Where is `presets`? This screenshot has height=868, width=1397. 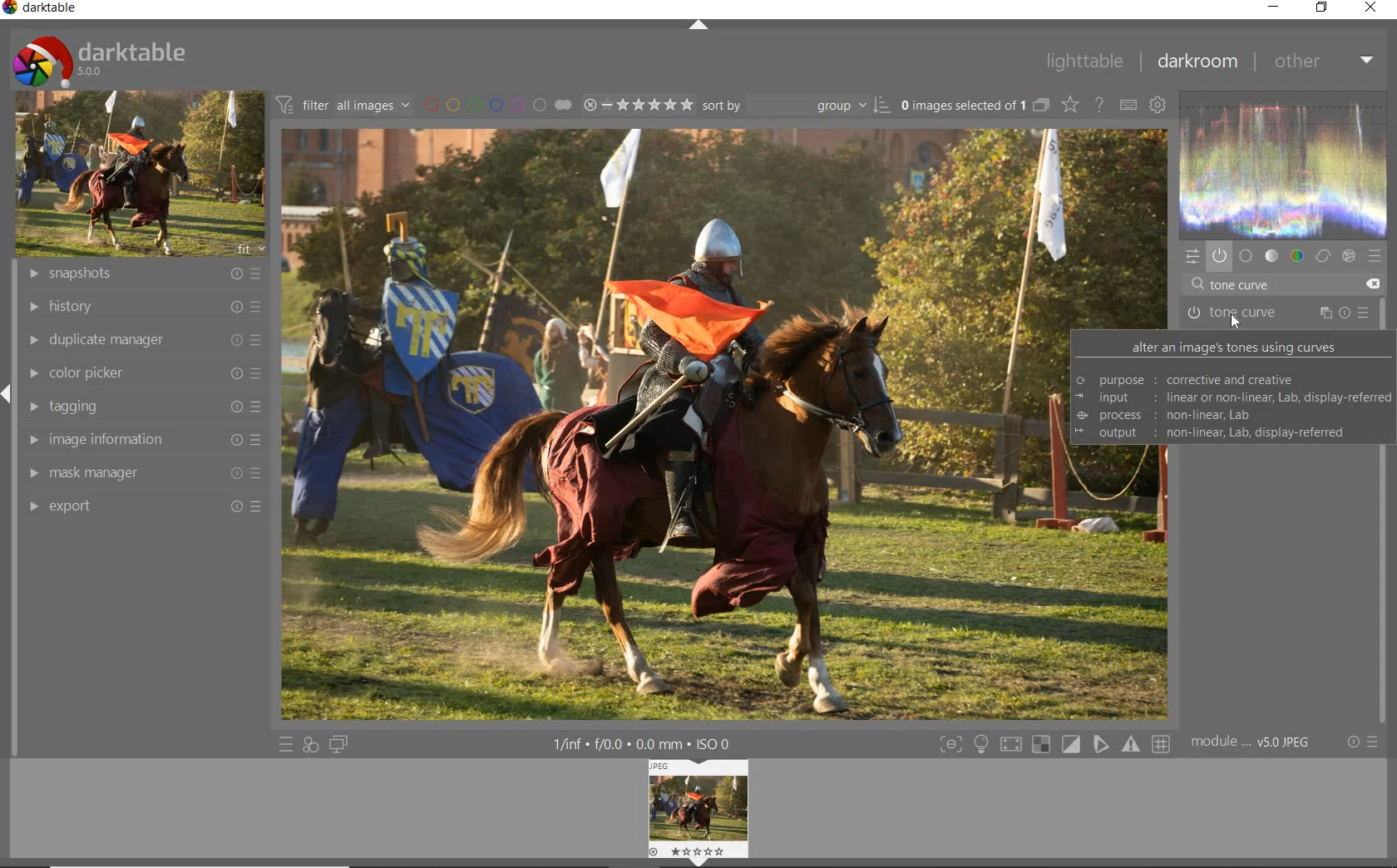
presets is located at coordinates (1375, 257).